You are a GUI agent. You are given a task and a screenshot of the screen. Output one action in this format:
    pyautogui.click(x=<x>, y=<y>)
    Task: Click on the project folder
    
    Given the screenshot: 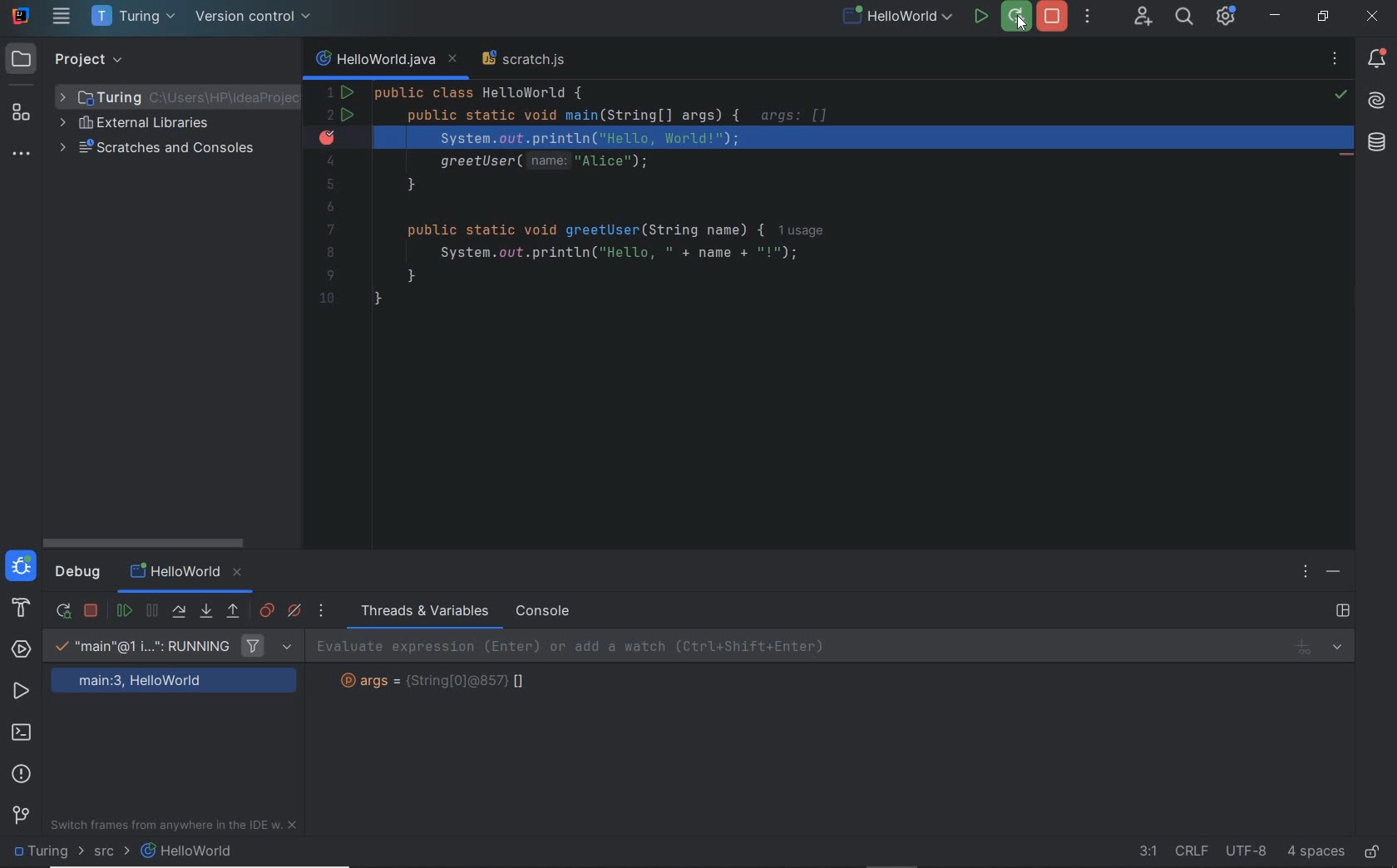 What is the action you would take?
    pyautogui.click(x=42, y=852)
    